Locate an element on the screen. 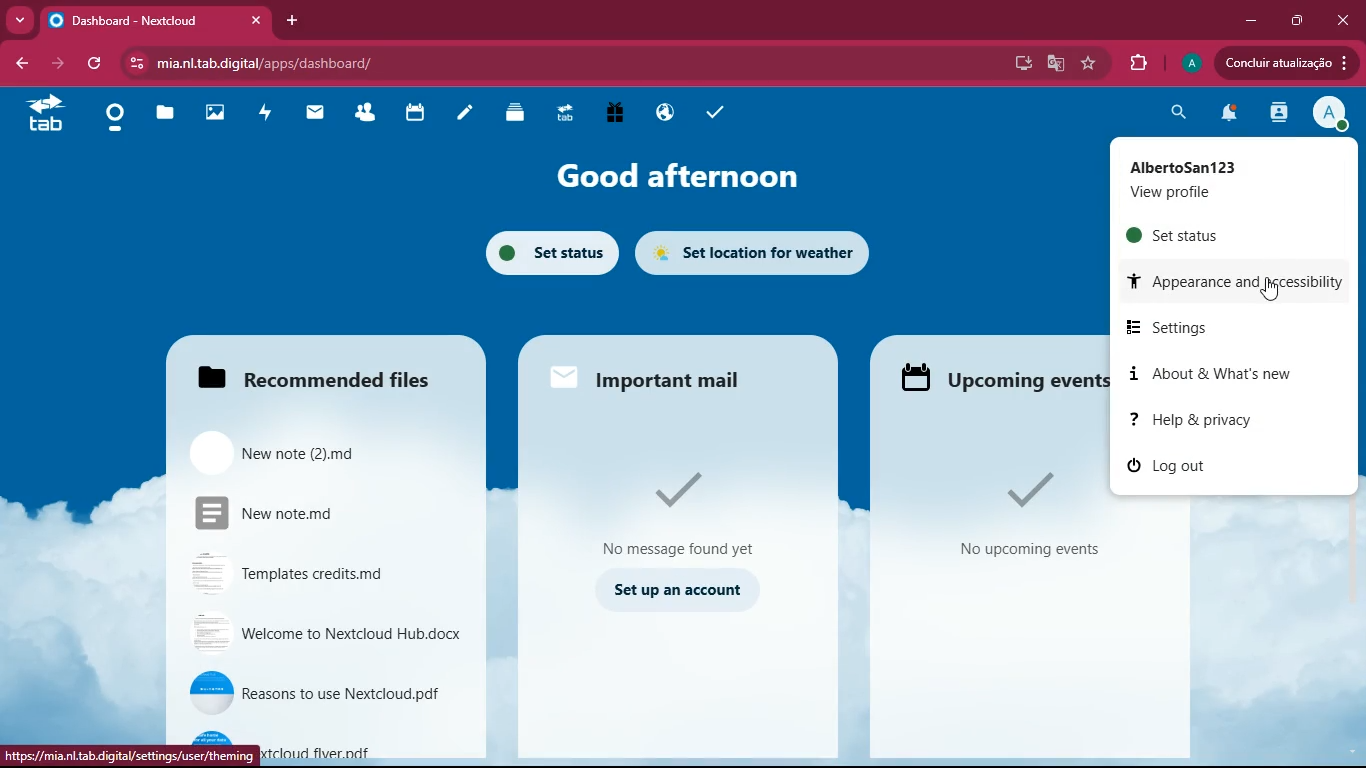  set location for weather is located at coordinates (761, 256).